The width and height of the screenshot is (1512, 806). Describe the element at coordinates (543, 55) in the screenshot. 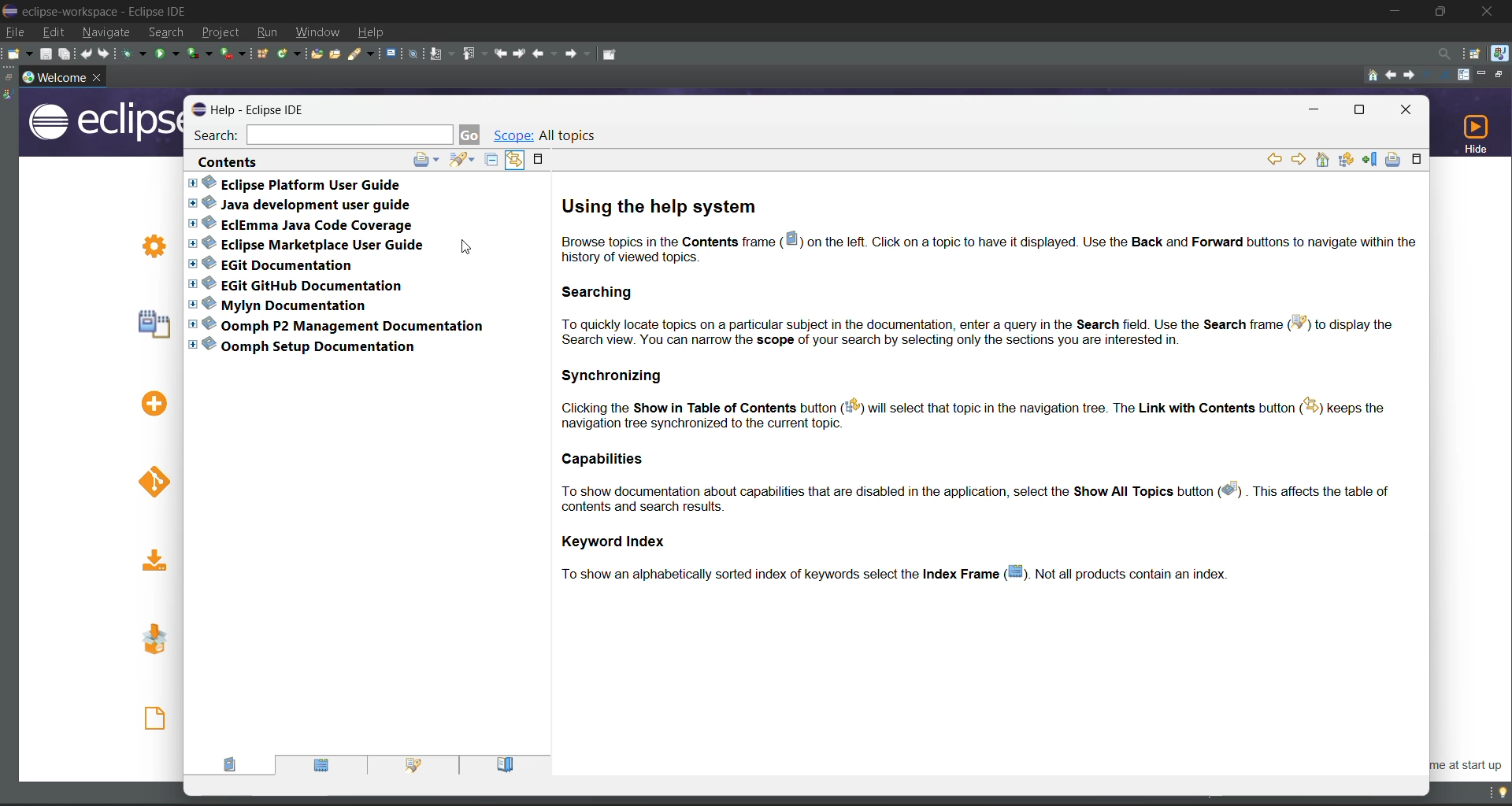

I see `back` at that location.